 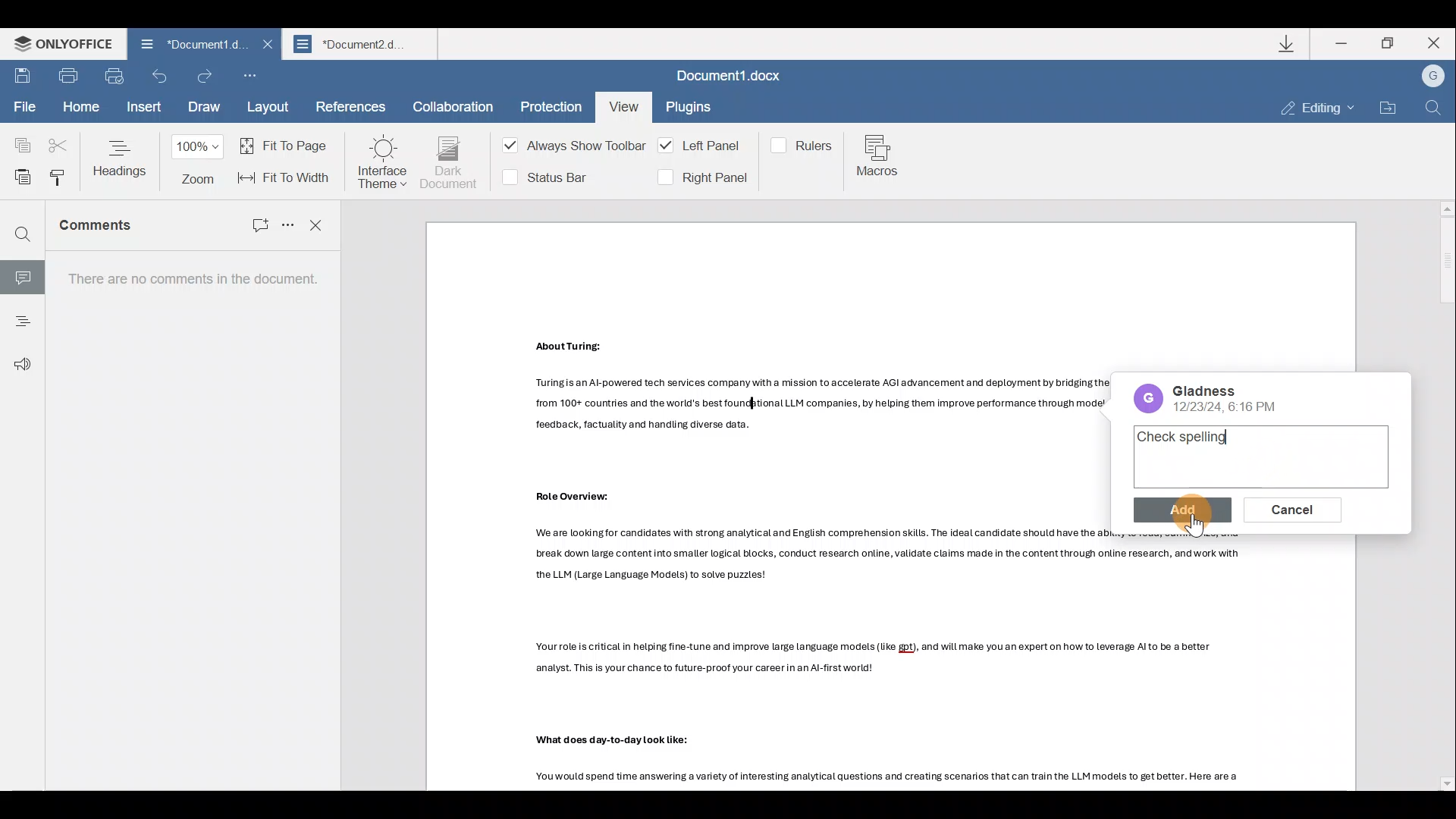 What do you see at coordinates (1288, 43) in the screenshot?
I see `Downloads` at bounding box center [1288, 43].